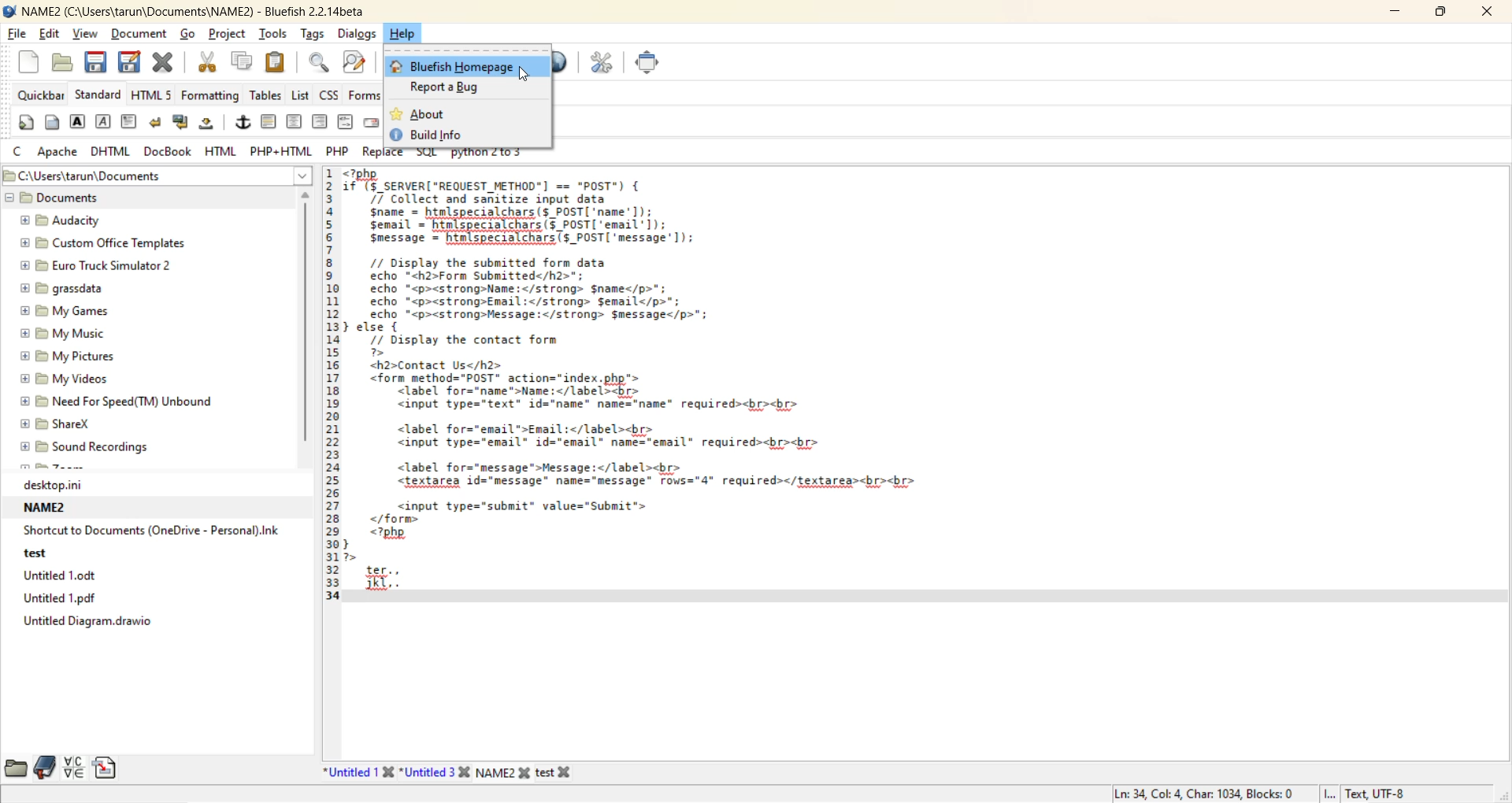  I want to click on copy, so click(241, 62).